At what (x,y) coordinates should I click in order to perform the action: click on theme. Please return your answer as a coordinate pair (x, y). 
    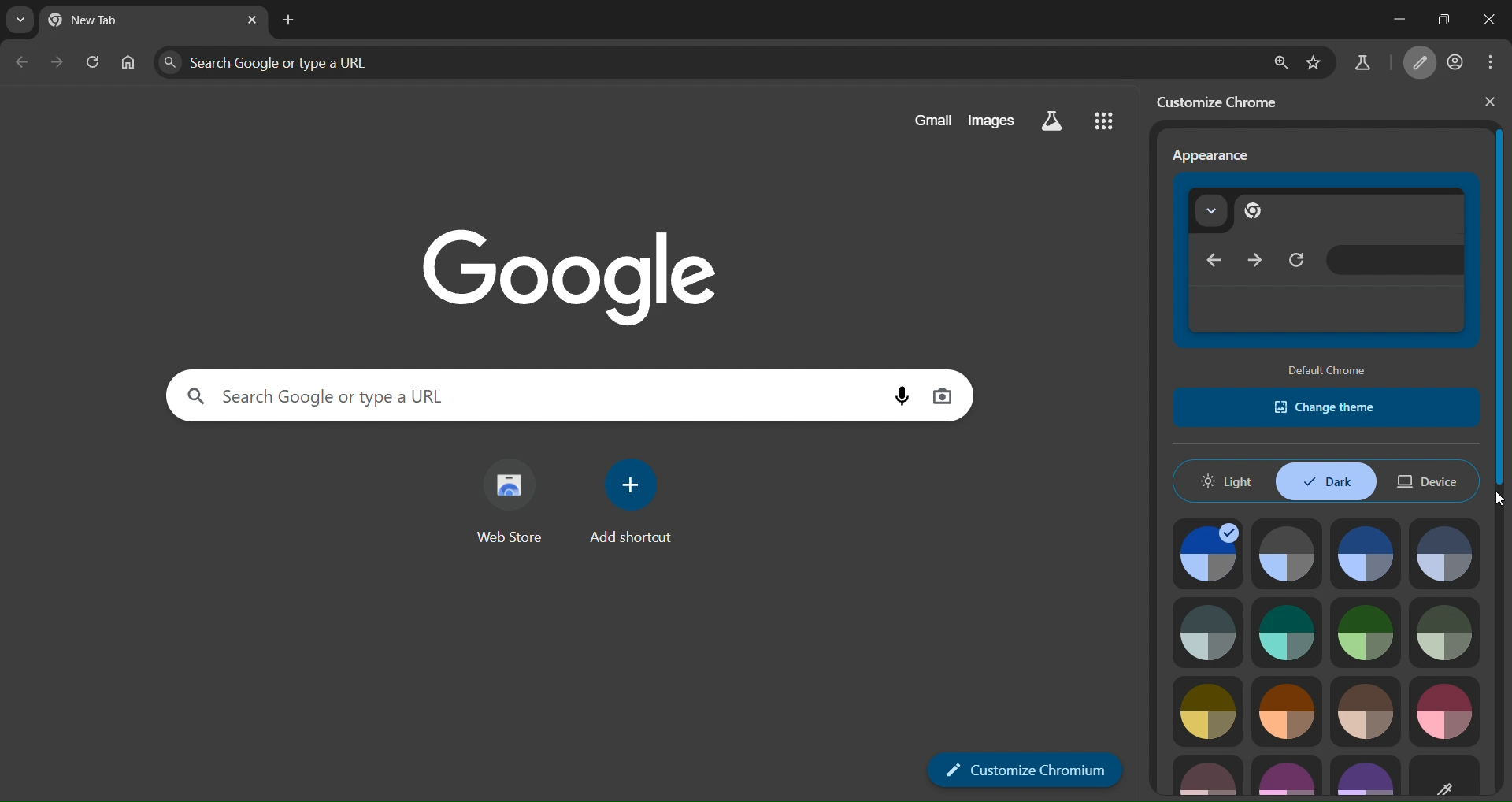
    Looking at the image, I should click on (1208, 776).